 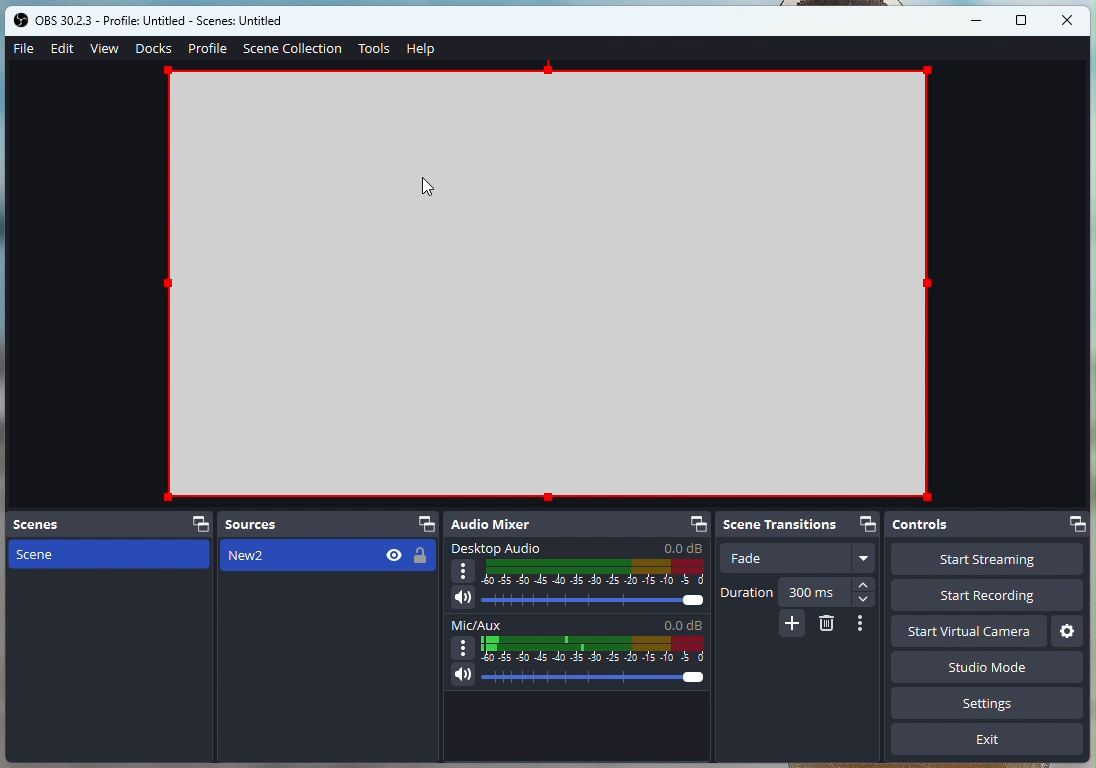 I want to click on Erase, so click(x=827, y=625).